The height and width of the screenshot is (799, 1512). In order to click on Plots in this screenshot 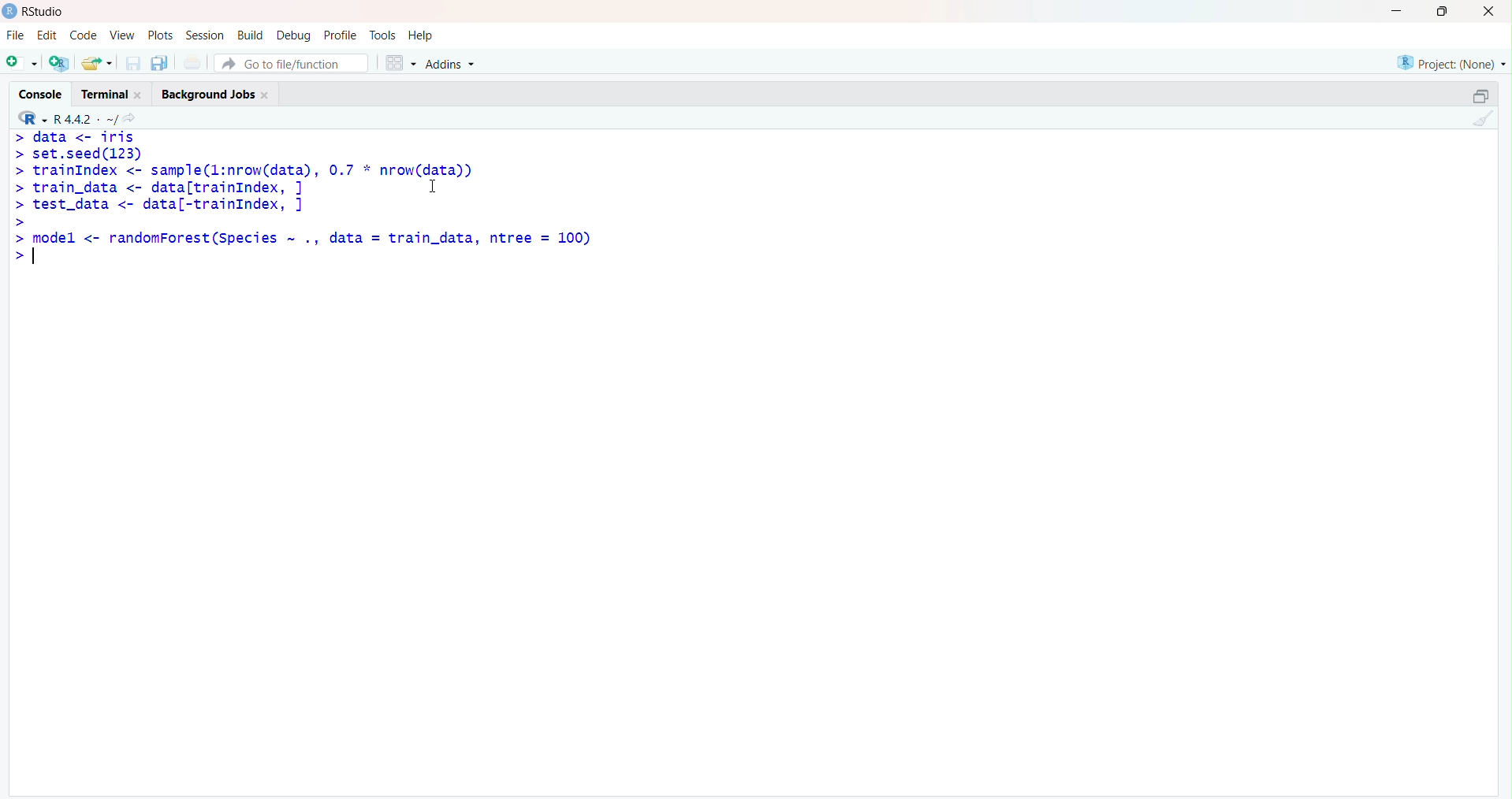, I will do `click(160, 35)`.